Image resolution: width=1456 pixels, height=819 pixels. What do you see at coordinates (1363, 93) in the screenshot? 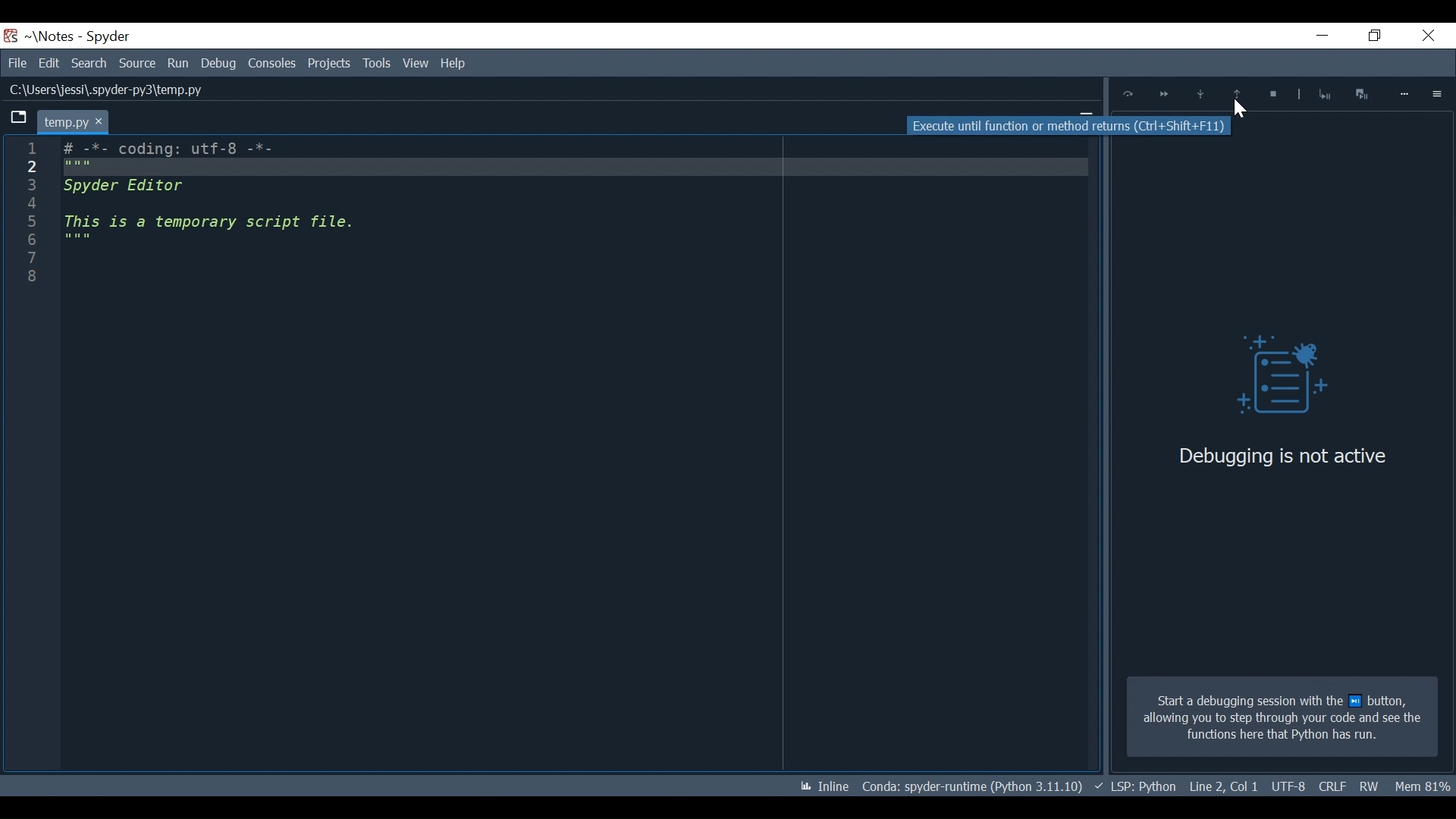
I see `Interrupt execution and start the debugger` at bounding box center [1363, 93].